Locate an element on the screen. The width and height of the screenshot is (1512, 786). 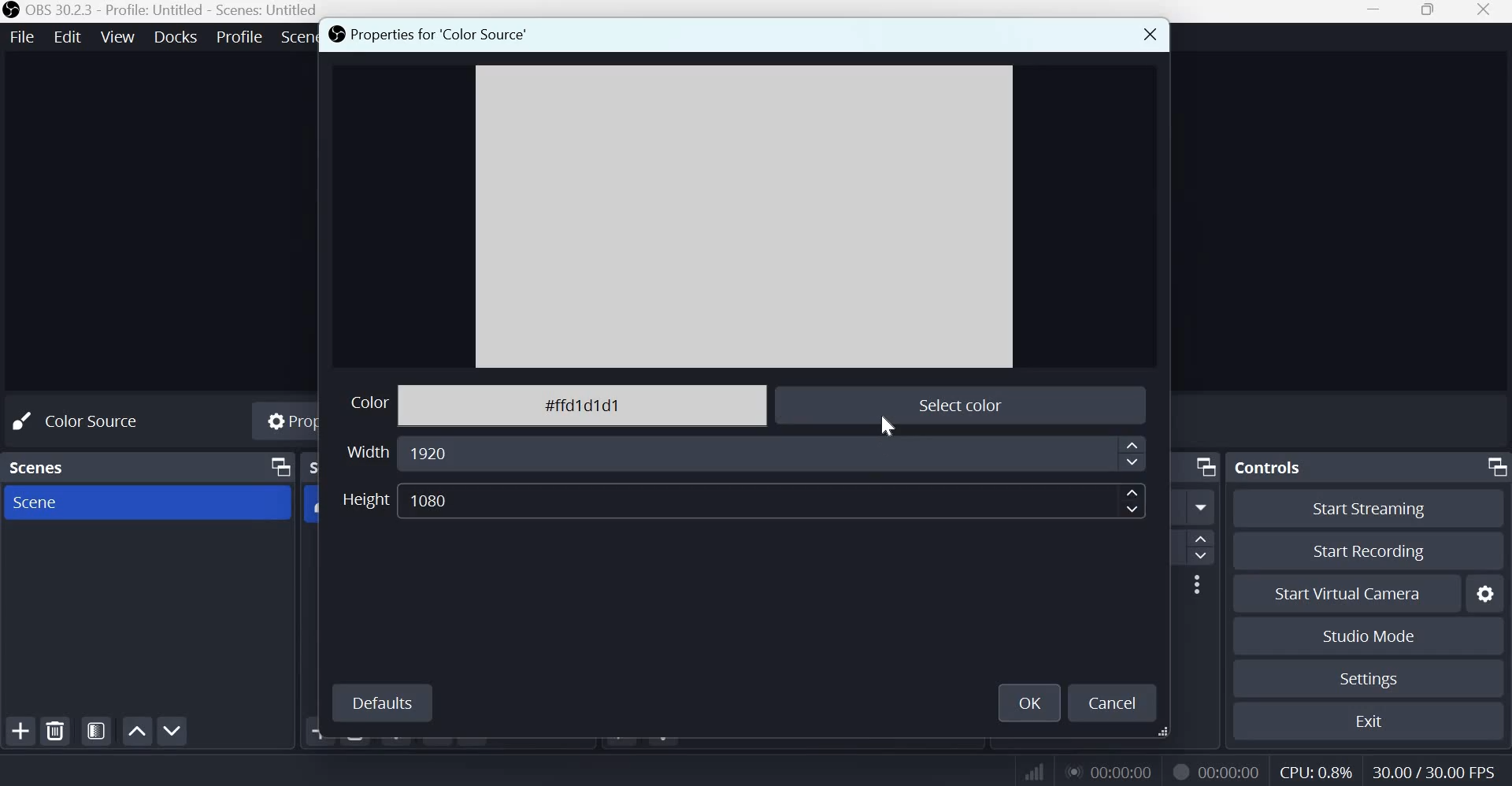
Width is located at coordinates (365, 450).